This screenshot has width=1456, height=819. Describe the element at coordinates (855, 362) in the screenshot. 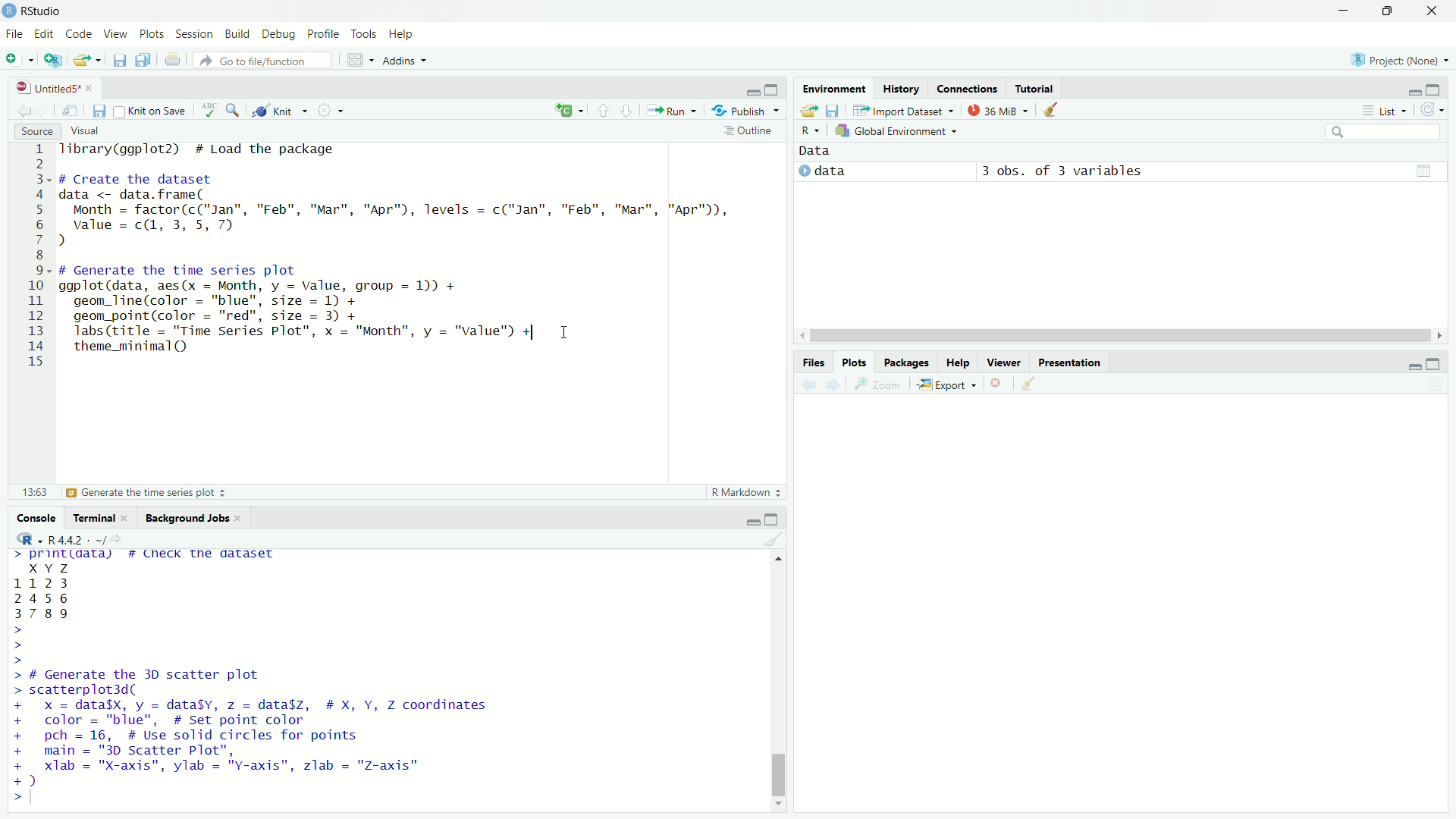

I see `plots` at that location.